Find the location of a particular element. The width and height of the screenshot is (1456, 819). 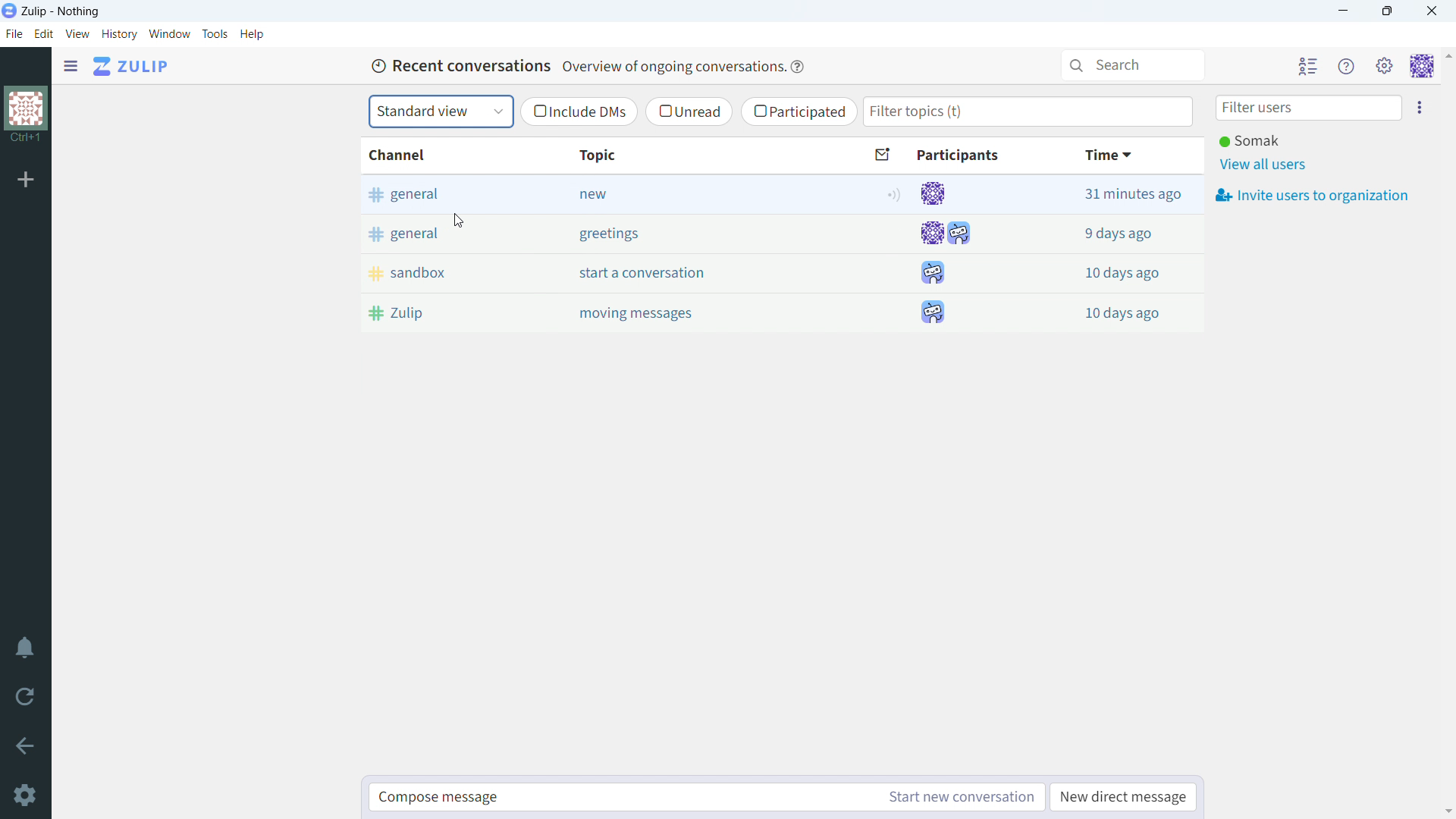

invite users is located at coordinates (1312, 194).